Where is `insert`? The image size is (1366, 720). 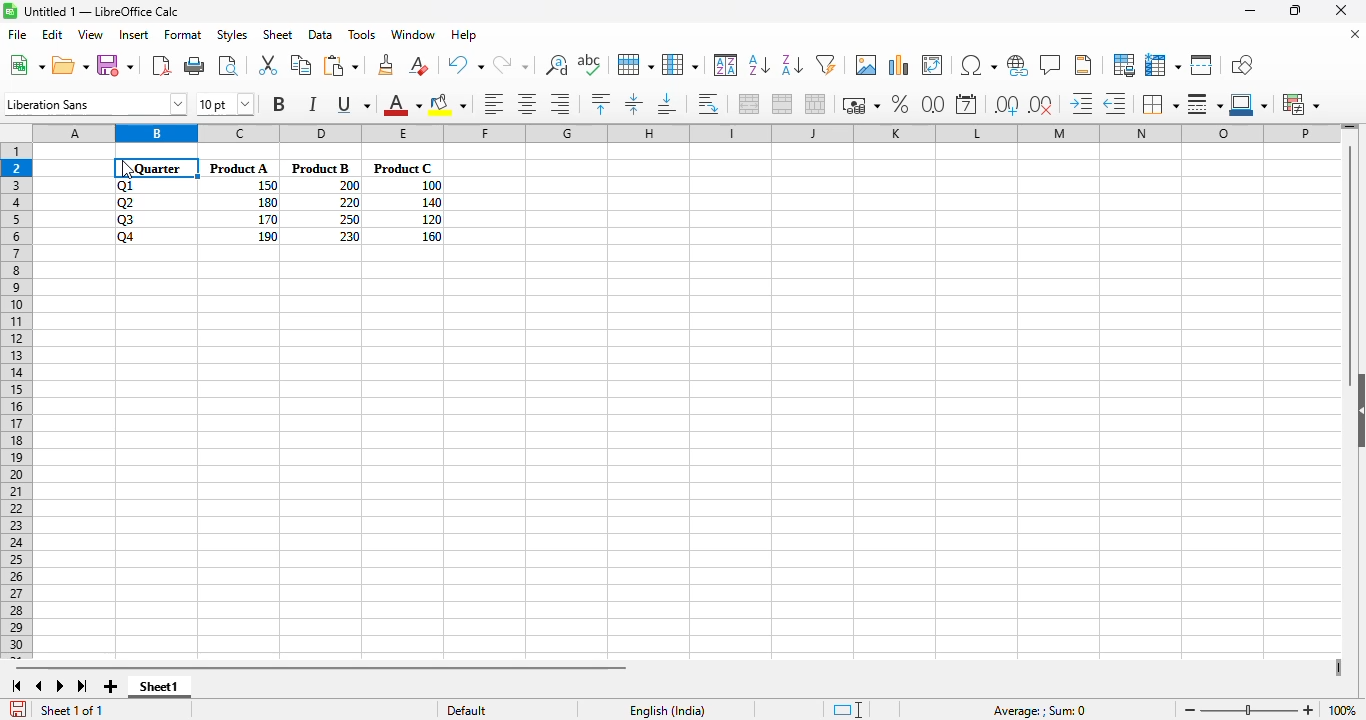 insert is located at coordinates (134, 35).